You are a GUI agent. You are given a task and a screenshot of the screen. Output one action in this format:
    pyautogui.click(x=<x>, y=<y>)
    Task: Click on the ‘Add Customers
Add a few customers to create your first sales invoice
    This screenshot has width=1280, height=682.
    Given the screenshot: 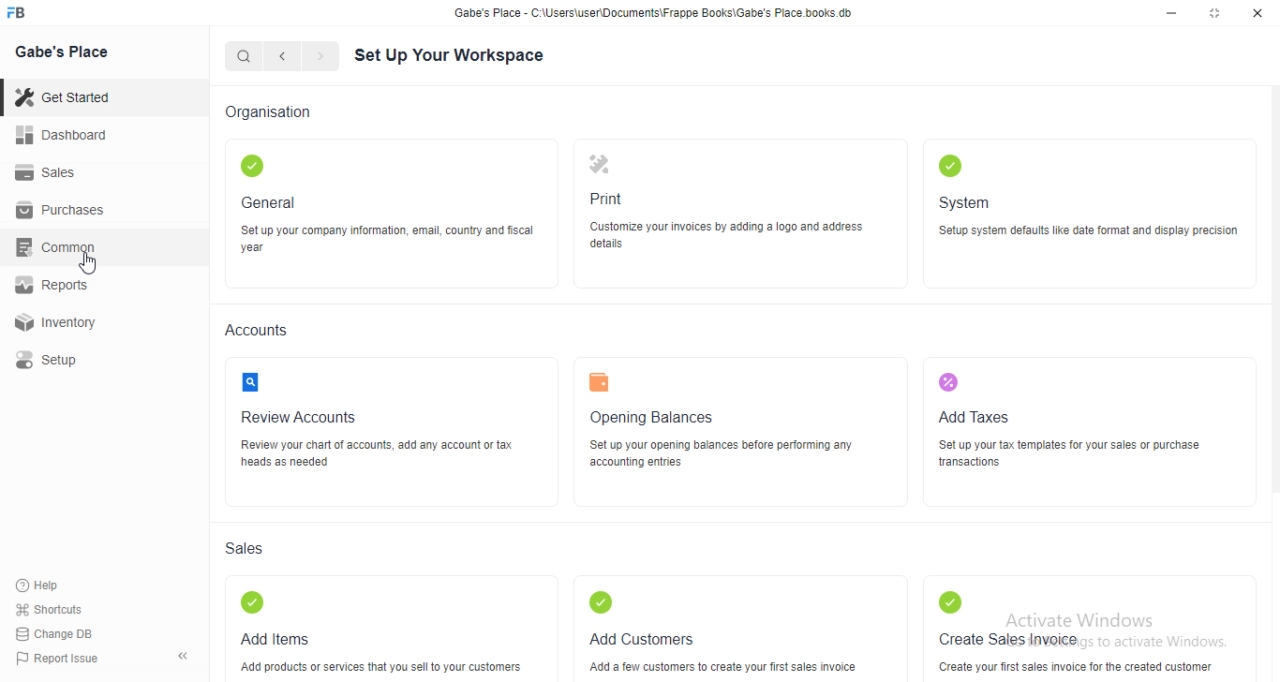 What is the action you would take?
    pyautogui.click(x=719, y=629)
    